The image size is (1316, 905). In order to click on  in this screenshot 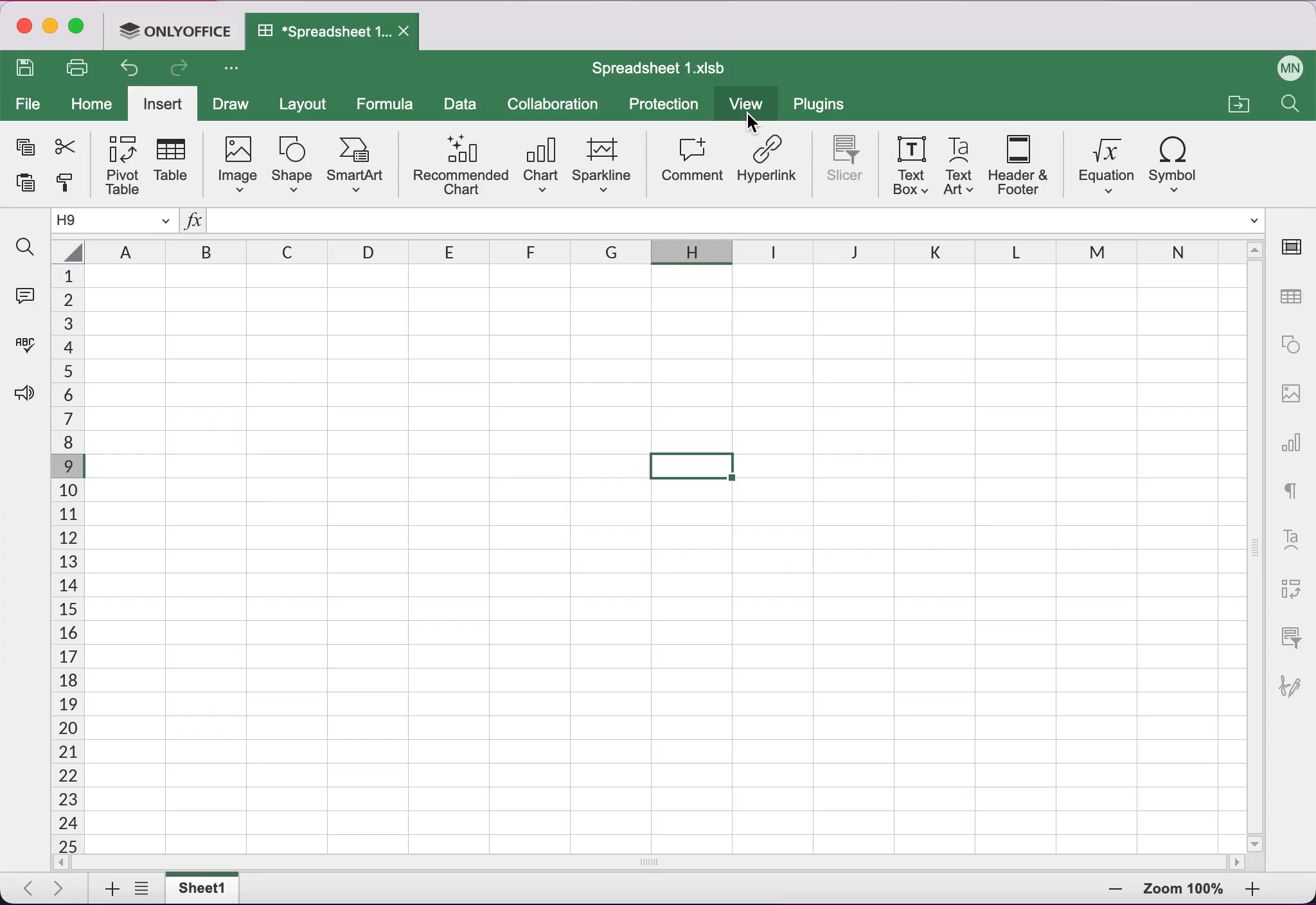, I will do `click(1283, 240)`.